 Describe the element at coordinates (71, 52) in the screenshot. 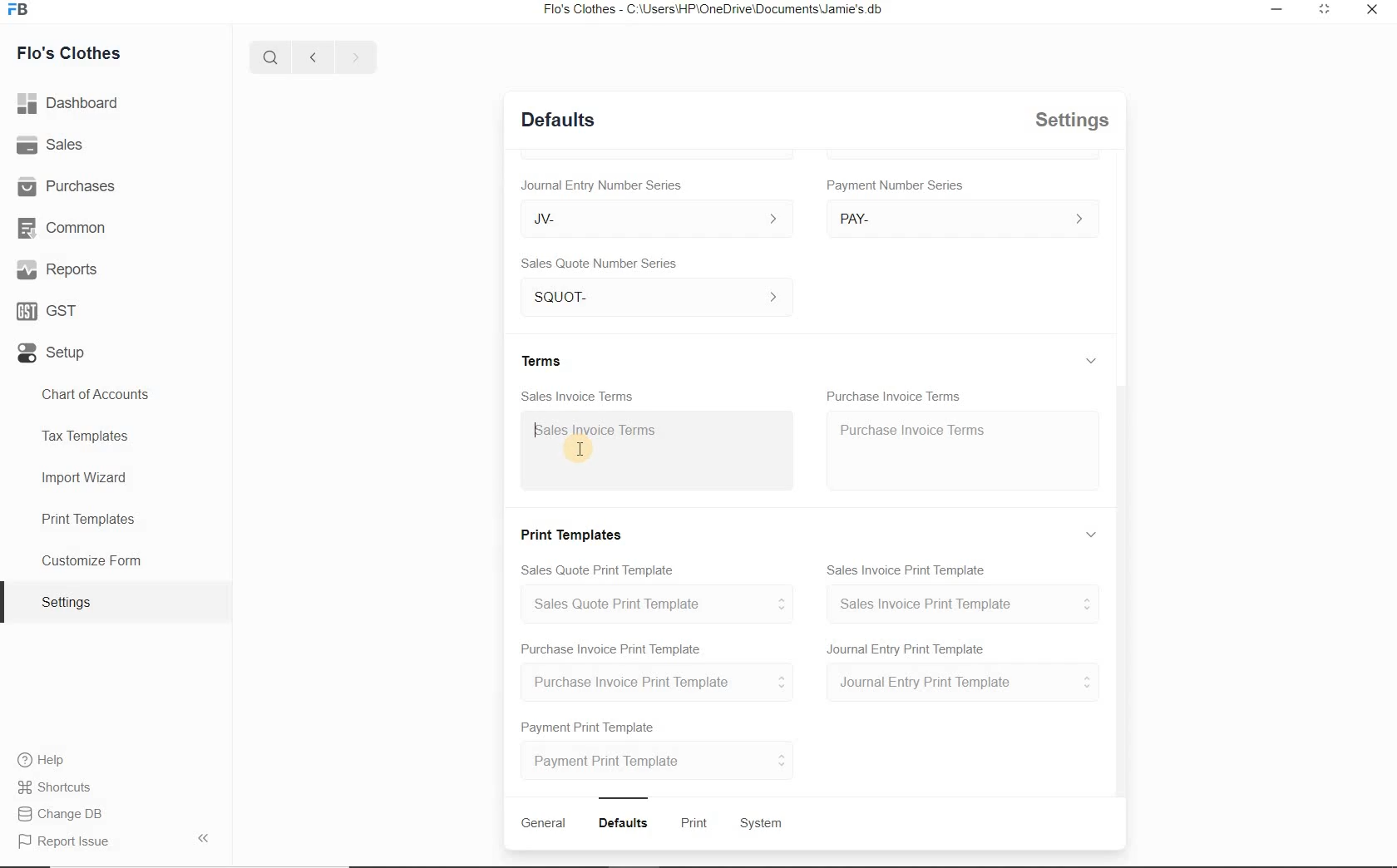

I see `Flo's Clothes` at that location.